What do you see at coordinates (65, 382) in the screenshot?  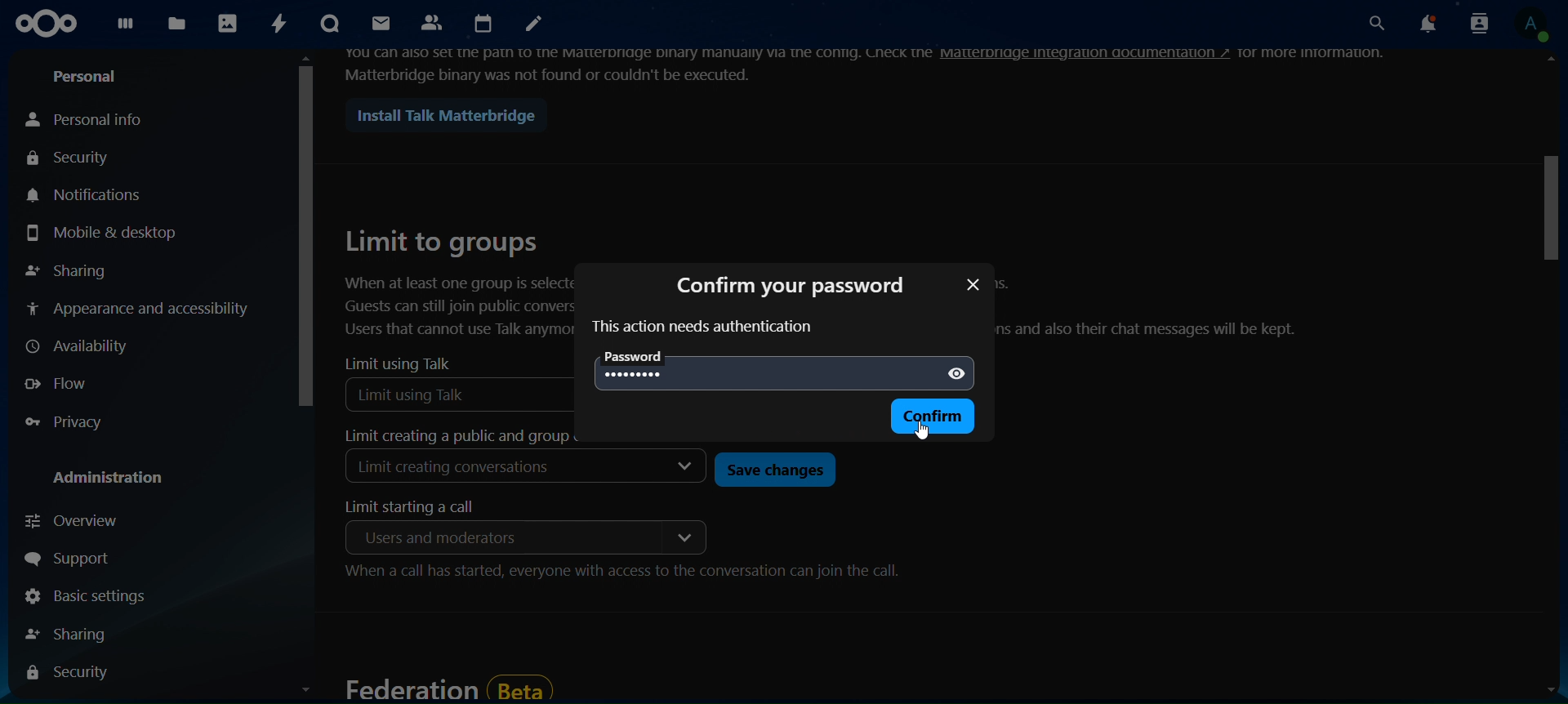 I see `flow` at bounding box center [65, 382].